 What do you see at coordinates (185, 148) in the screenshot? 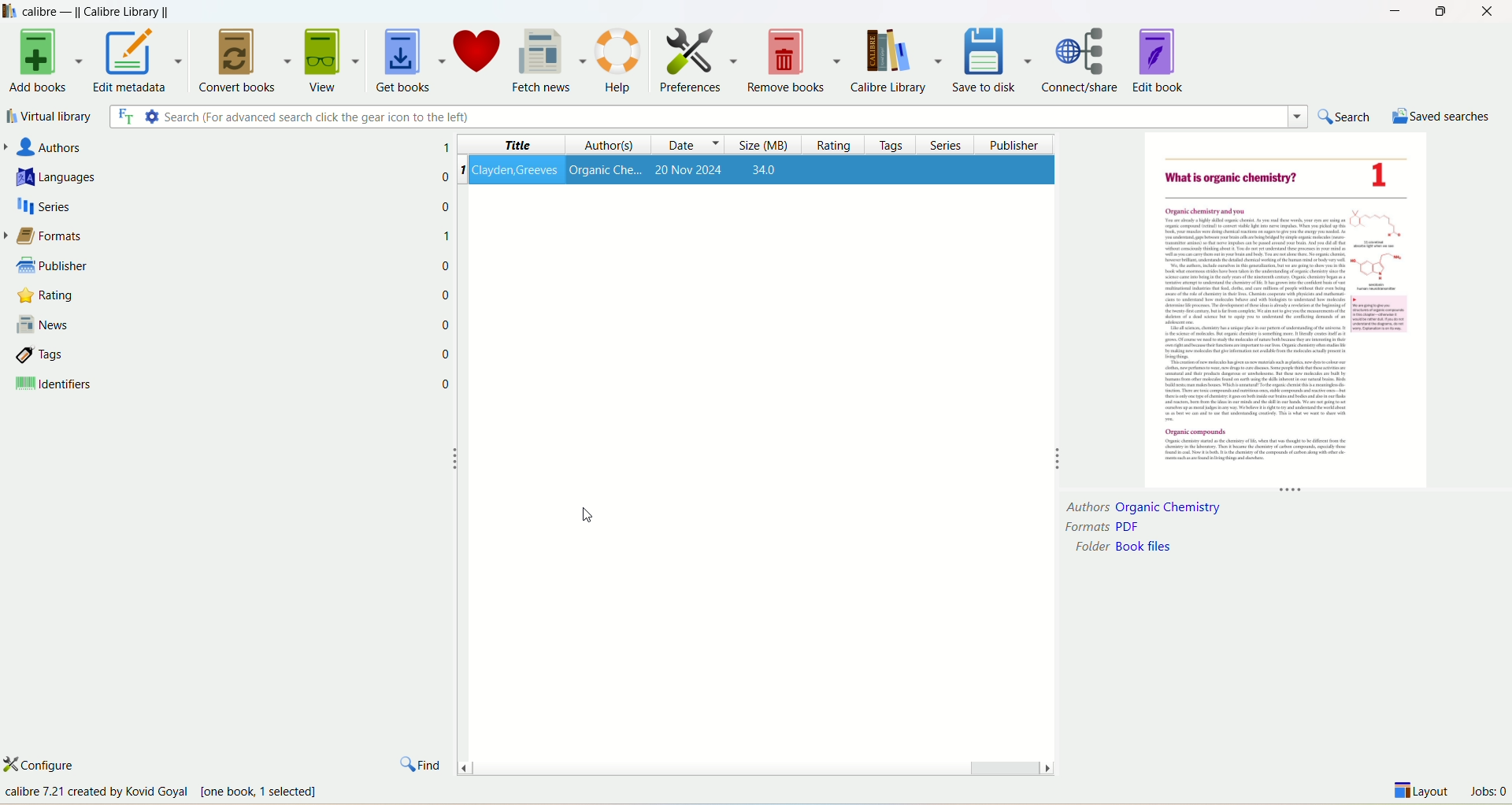
I see `authors` at bounding box center [185, 148].